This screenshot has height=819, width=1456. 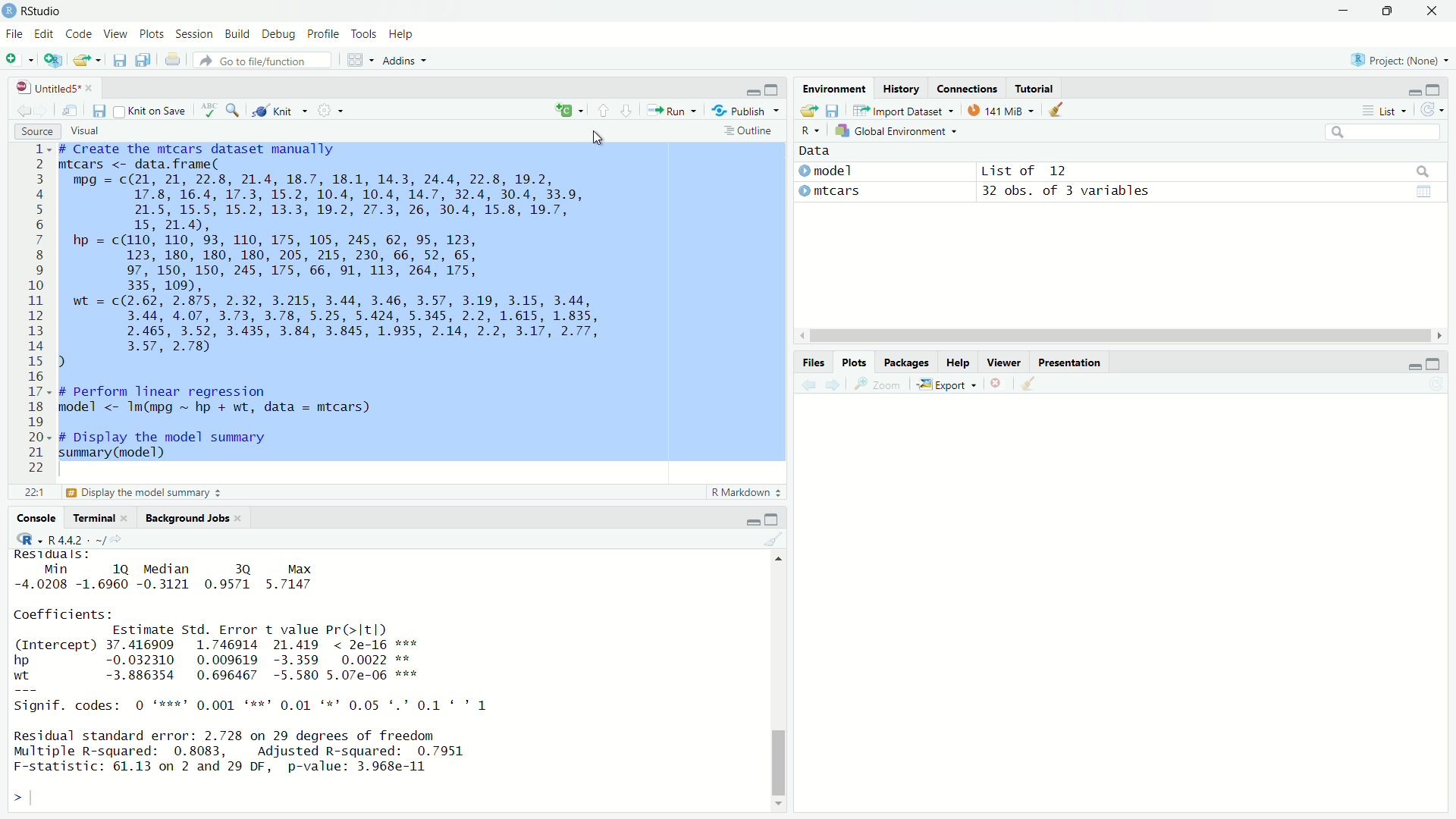 What do you see at coordinates (627, 110) in the screenshot?
I see `go to next section` at bounding box center [627, 110].